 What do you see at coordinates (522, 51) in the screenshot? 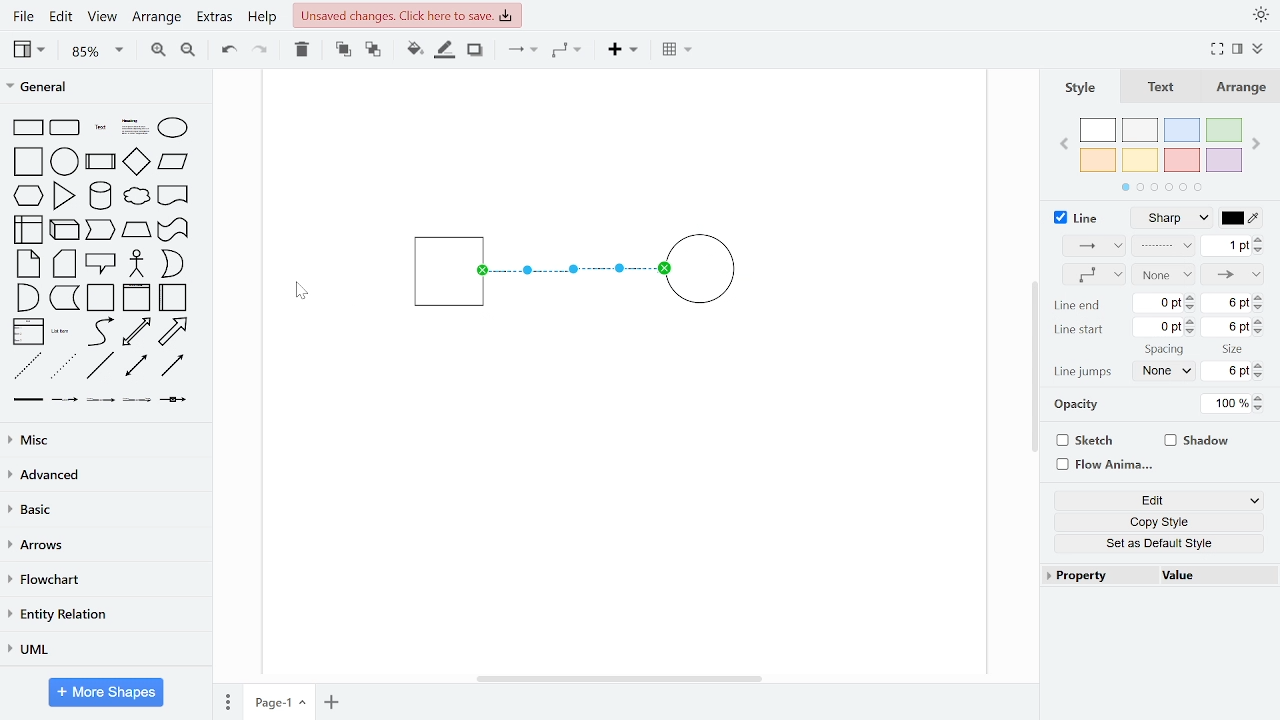
I see `connector` at bounding box center [522, 51].